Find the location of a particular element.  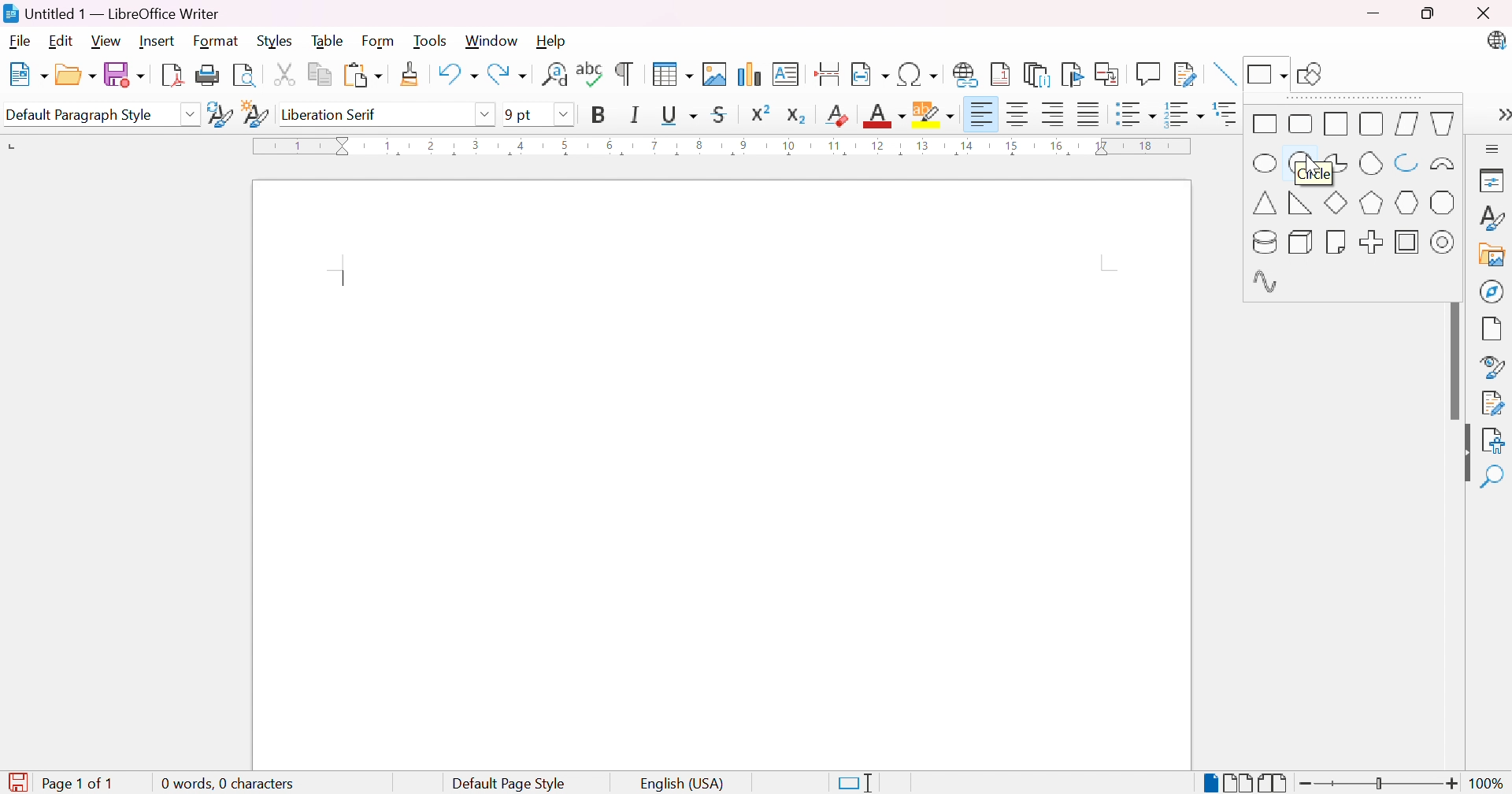

Sinusoid is located at coordinates (1266, 283).